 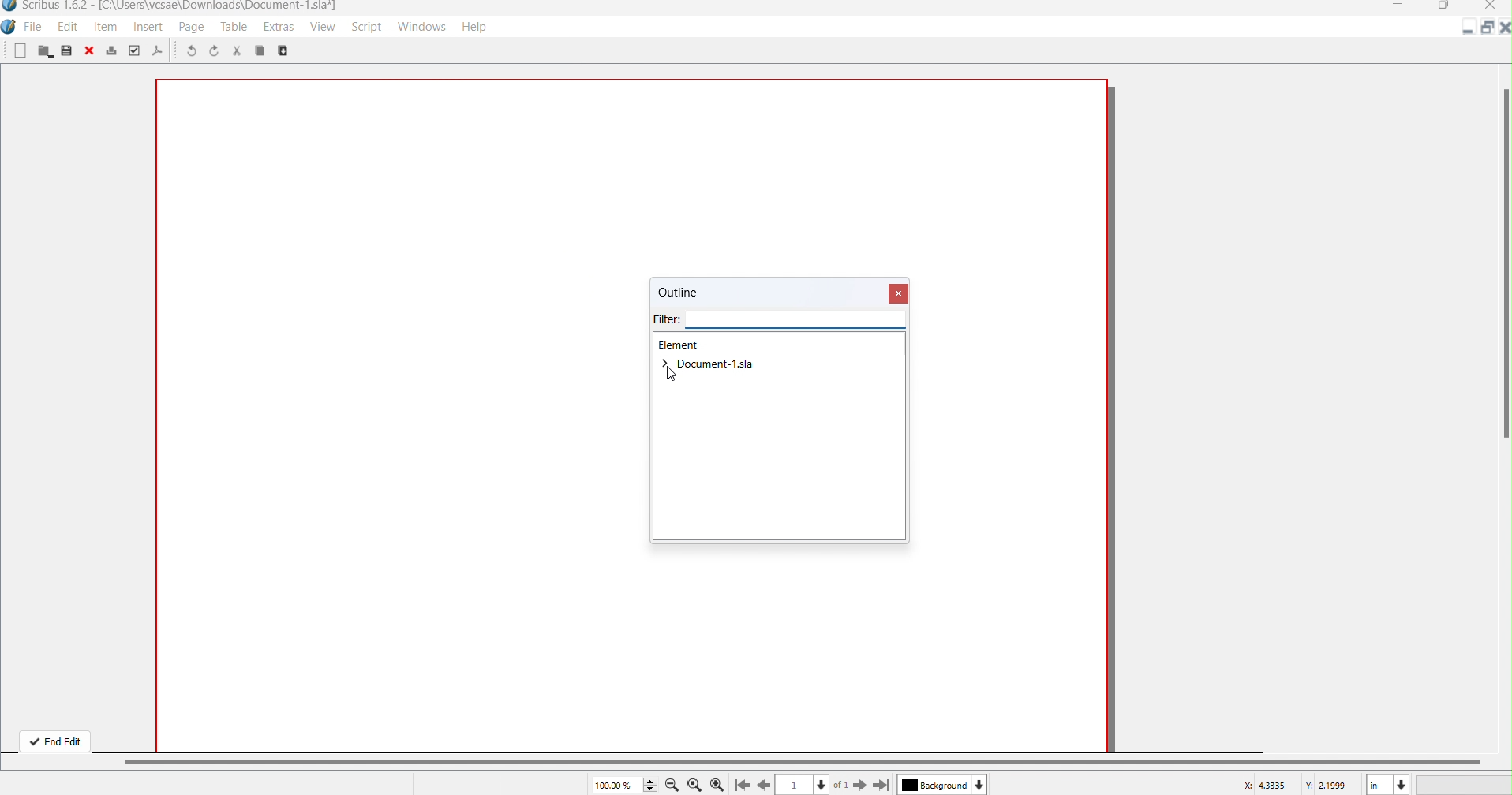 I want to click on , so click(x=323, y=28).